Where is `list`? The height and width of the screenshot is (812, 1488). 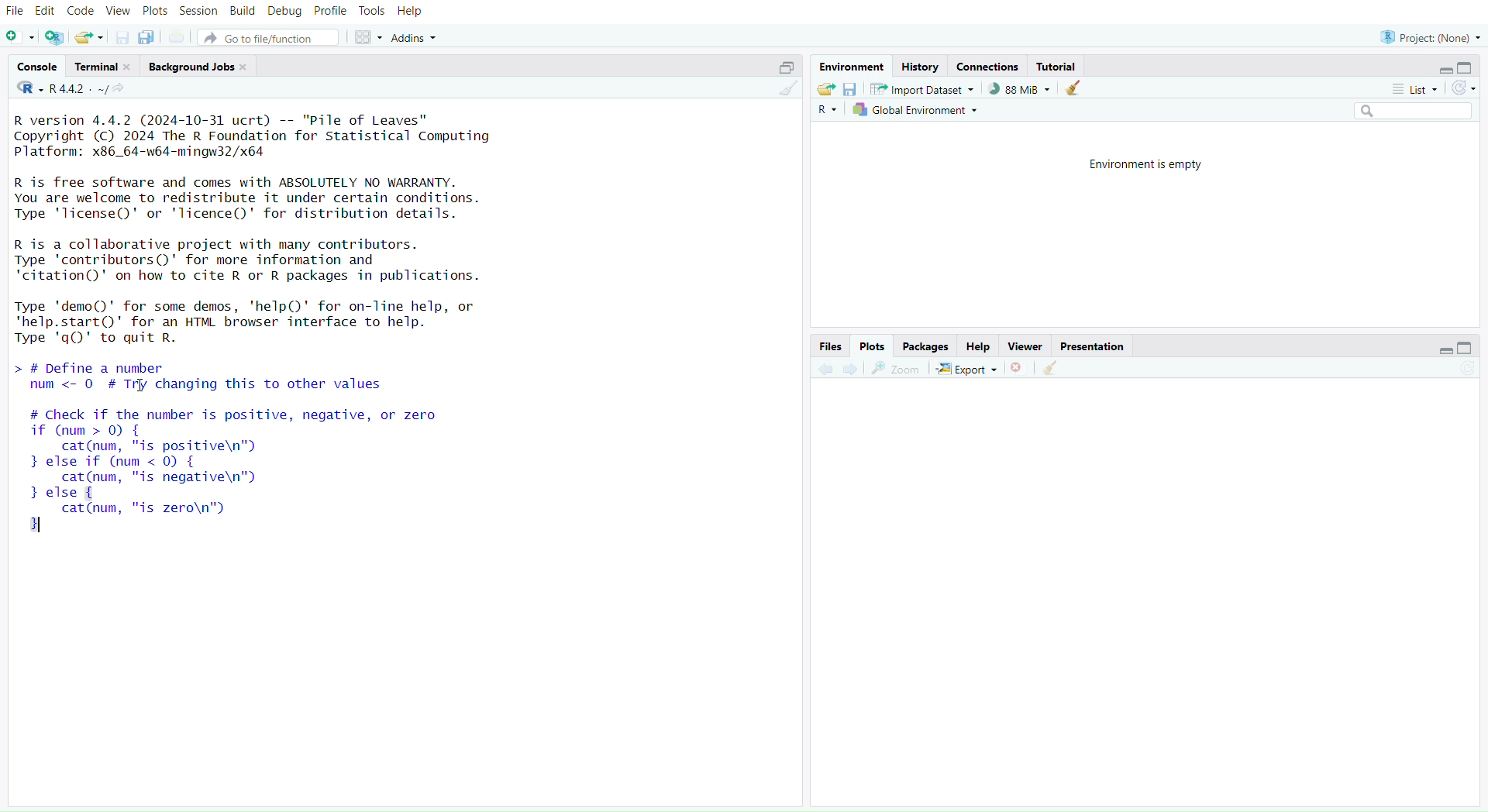
list is located at coordinates (1413, 89).